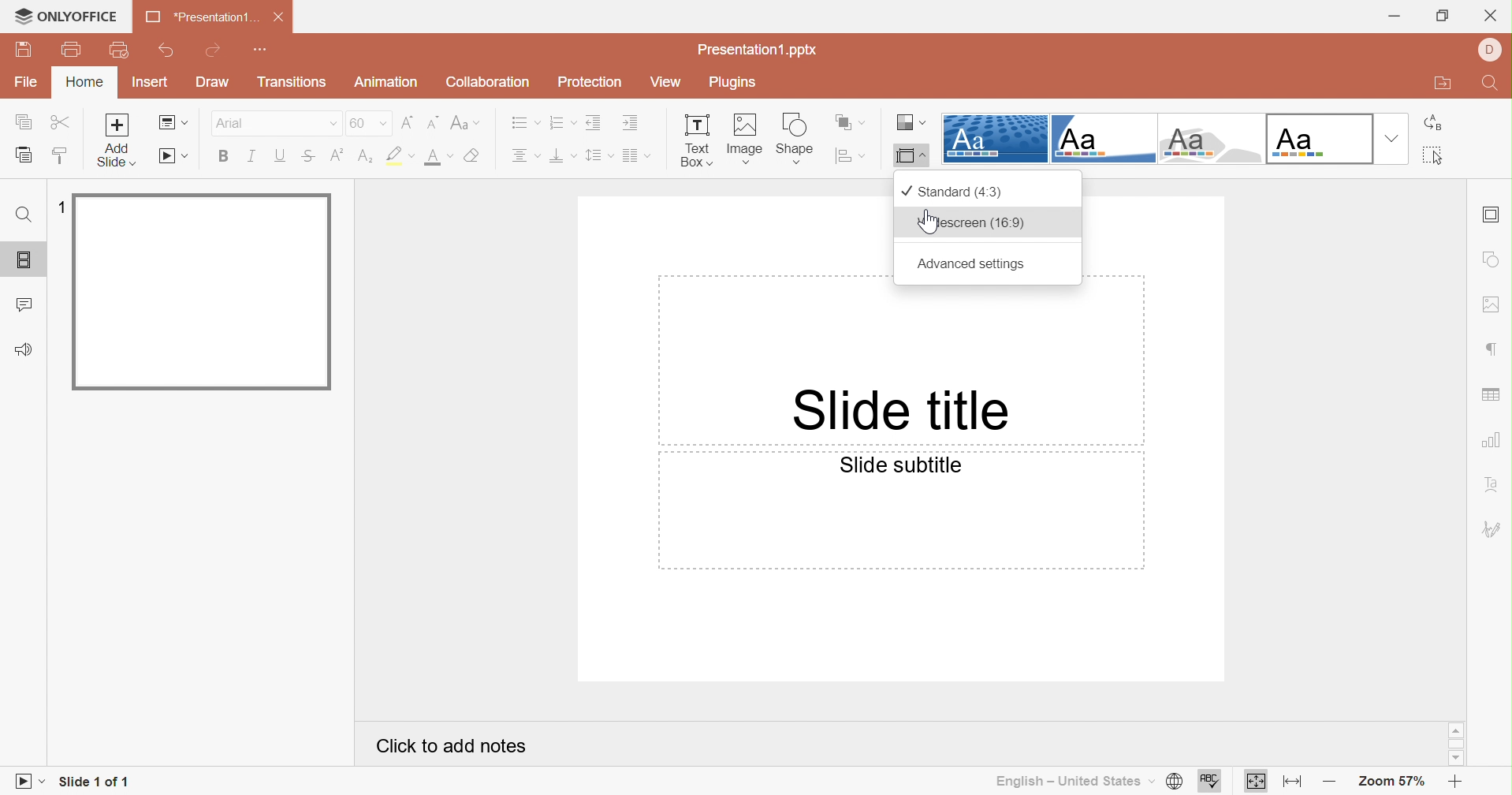  What do you see at coordinates (335, 155) in the screenshot?
I see `Superscript` at bounding box center [335, 155].